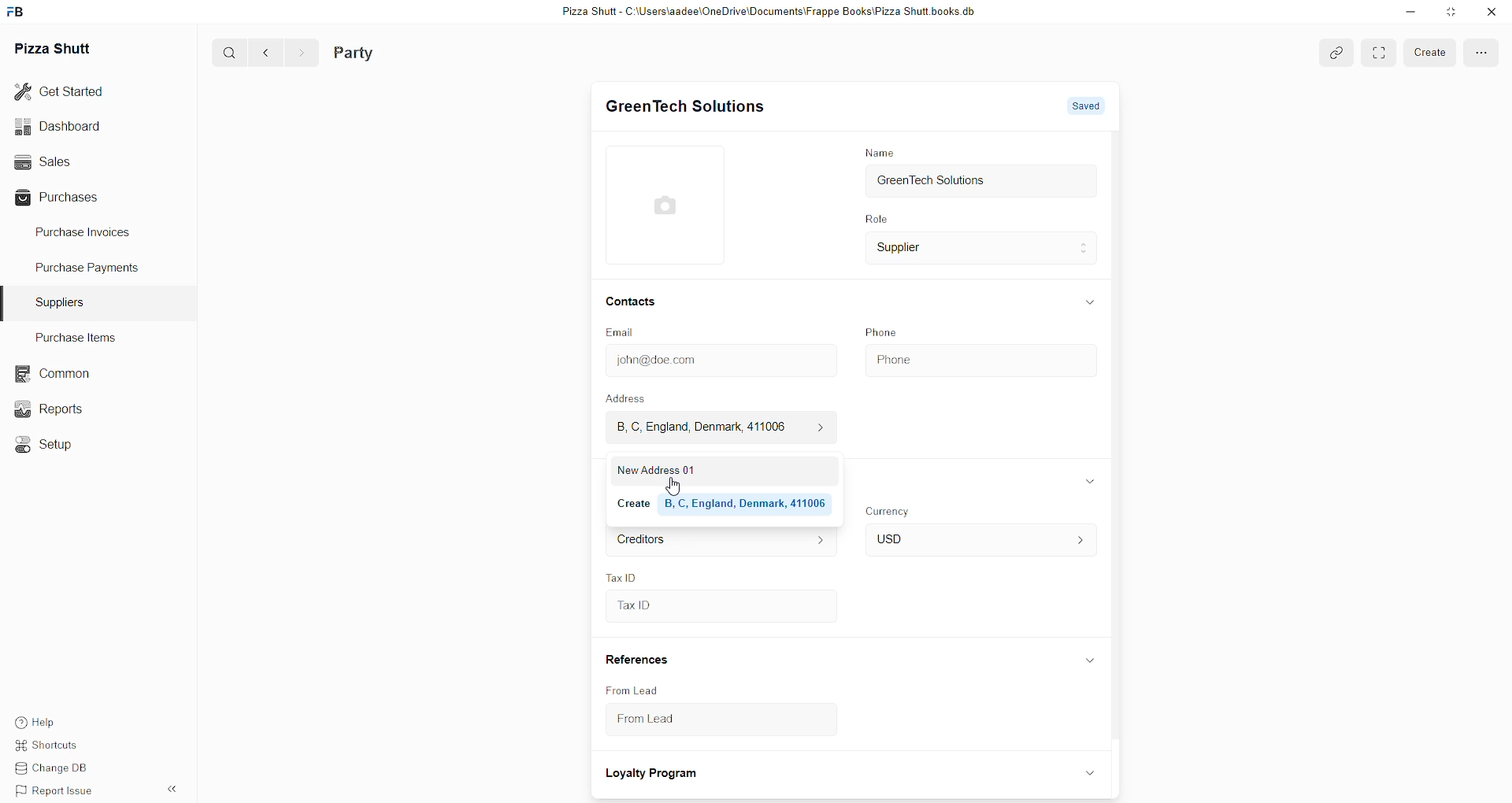 The width and height of the screenshot is (1512, 803). Describe the element at coordinates (81, 337) in the screenshot. I see `Purchase Items` at that location.